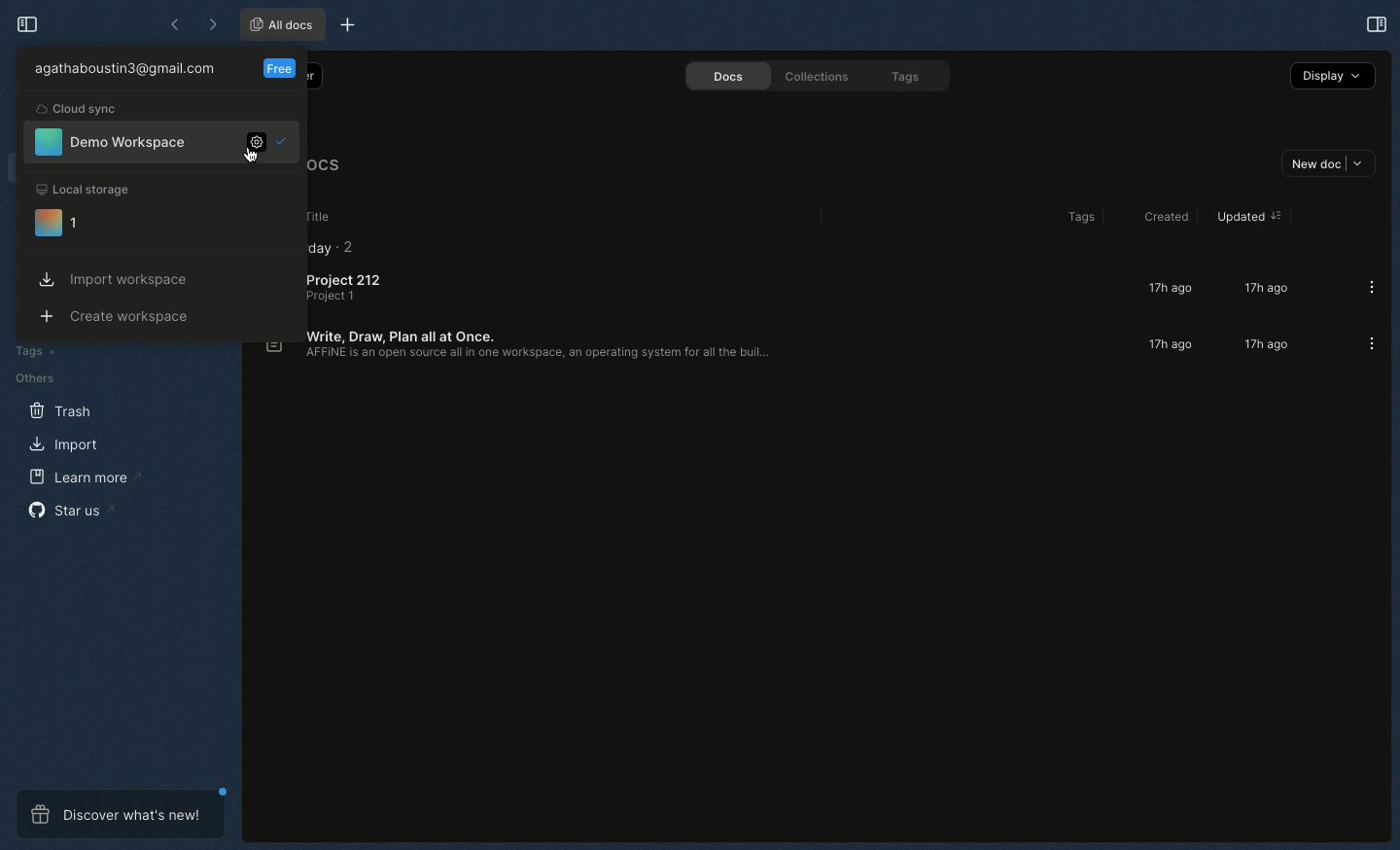 The image size is (1400, 850). I want to click on Forward, so click(210, 23).